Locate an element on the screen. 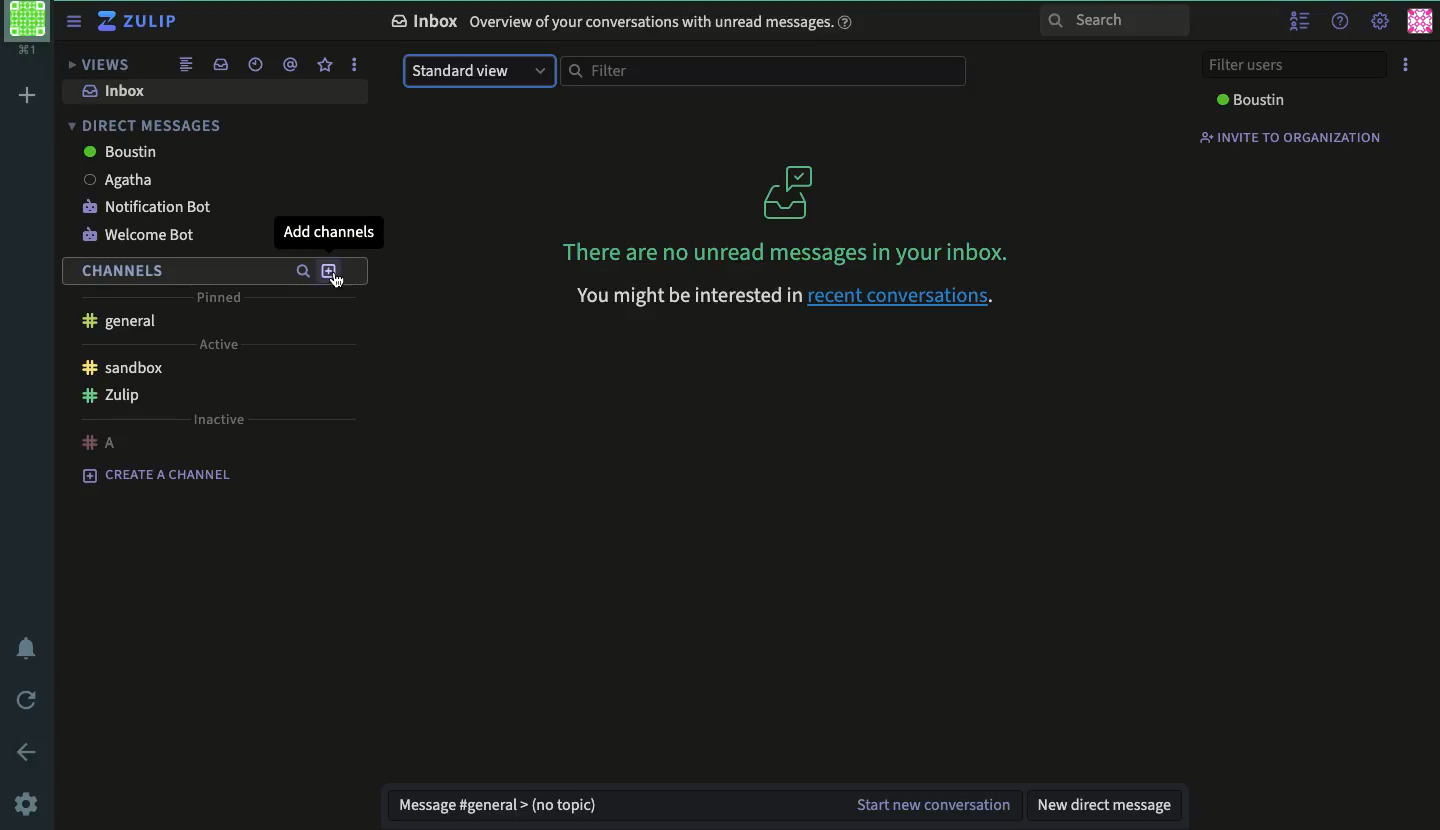 This screenshot has width=1440, height=830. new direct message is located at coordinates (1106, 804).